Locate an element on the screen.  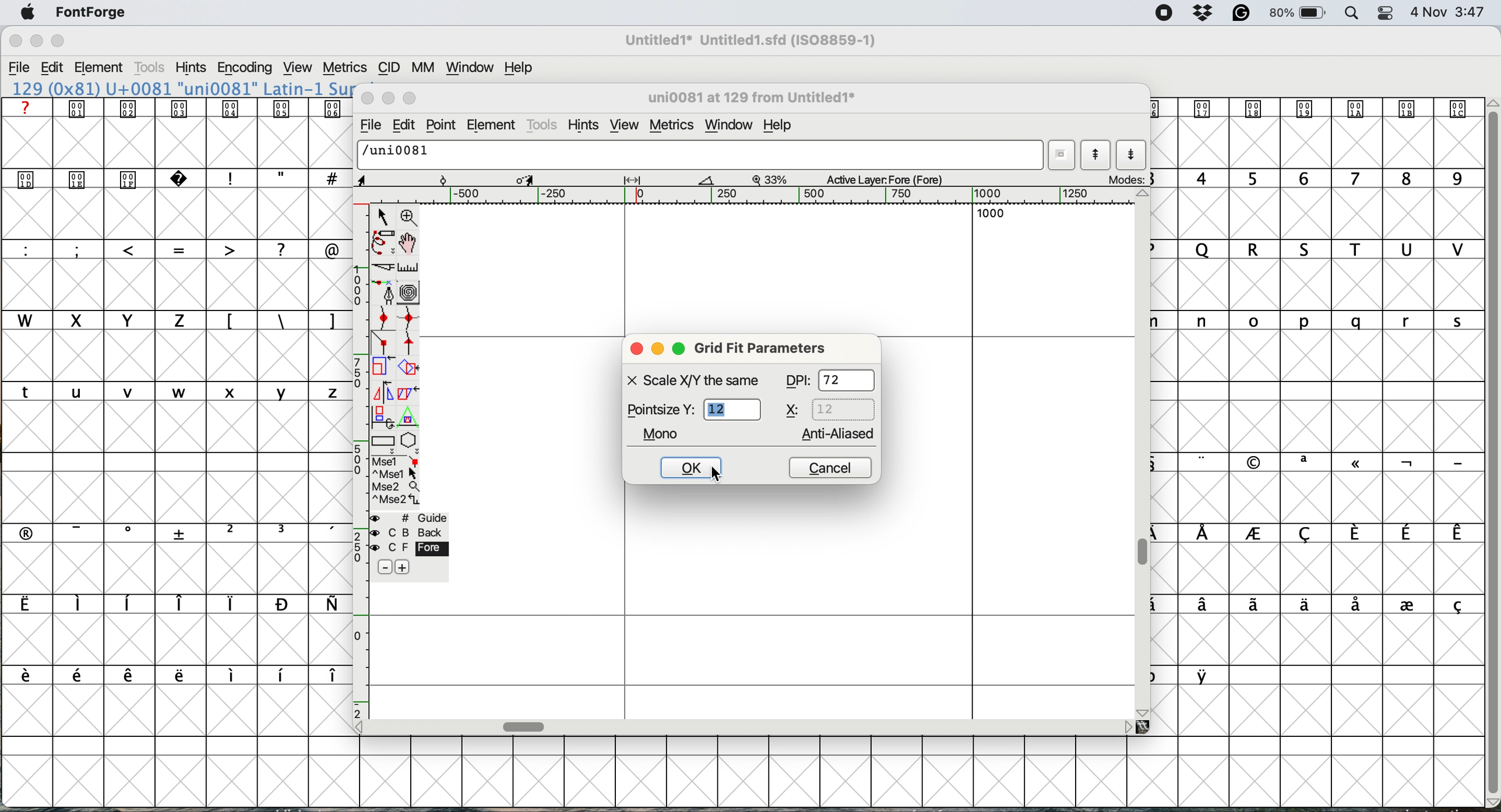
metrics is located at coordinates (672, 125).